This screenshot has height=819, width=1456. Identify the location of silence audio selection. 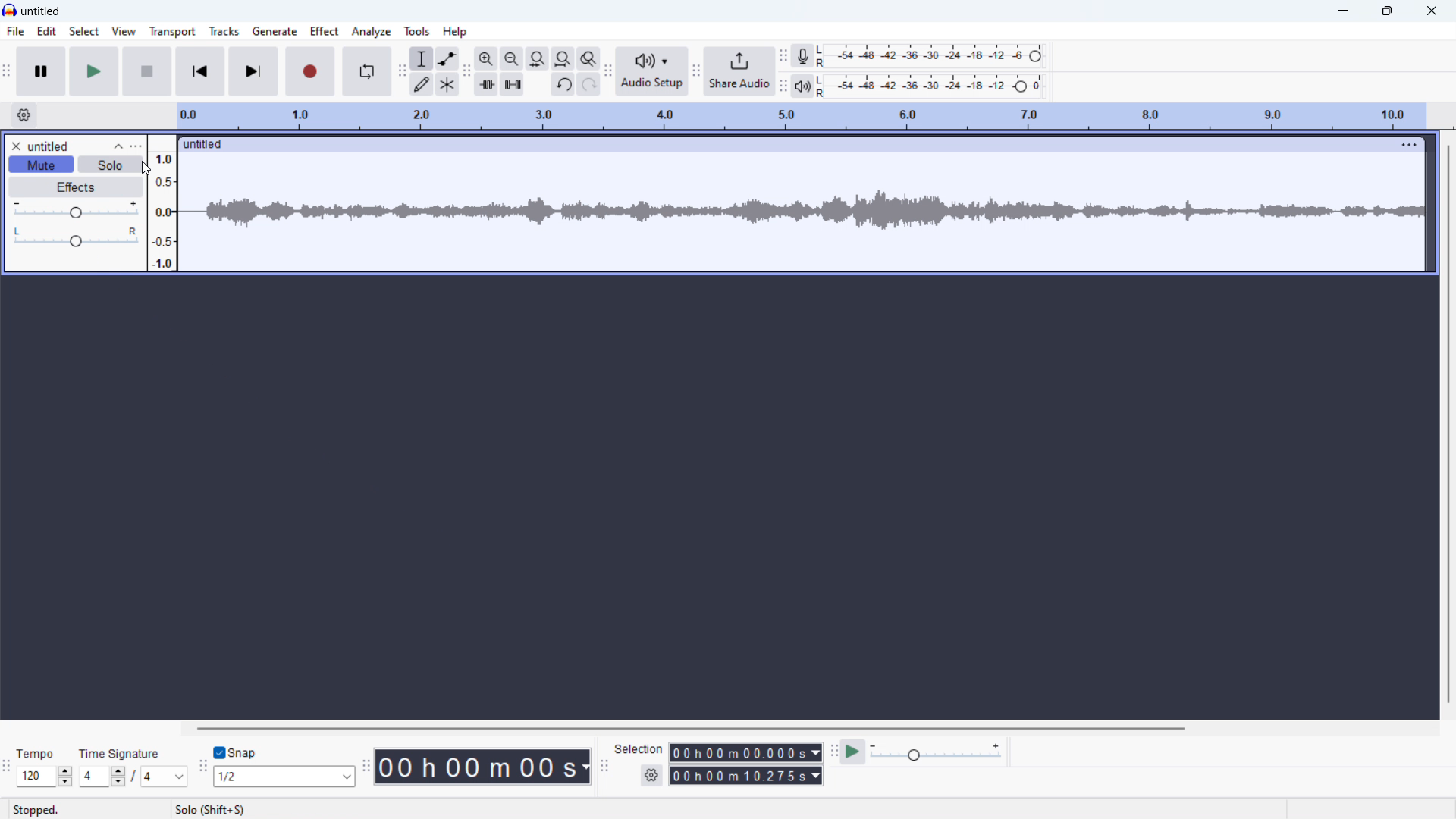
(512, 84).